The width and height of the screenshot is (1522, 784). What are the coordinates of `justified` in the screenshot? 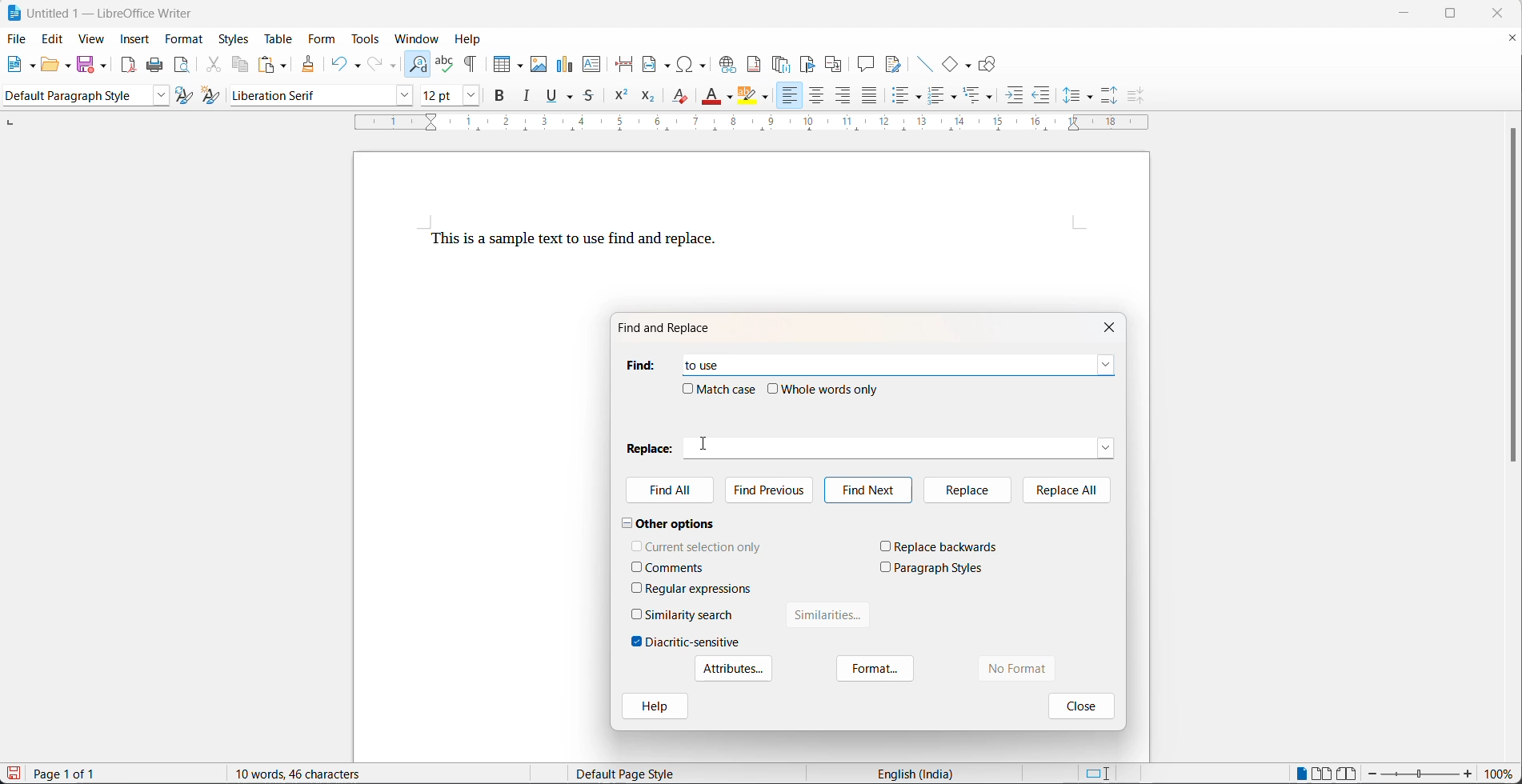 It's located at (870, 97).